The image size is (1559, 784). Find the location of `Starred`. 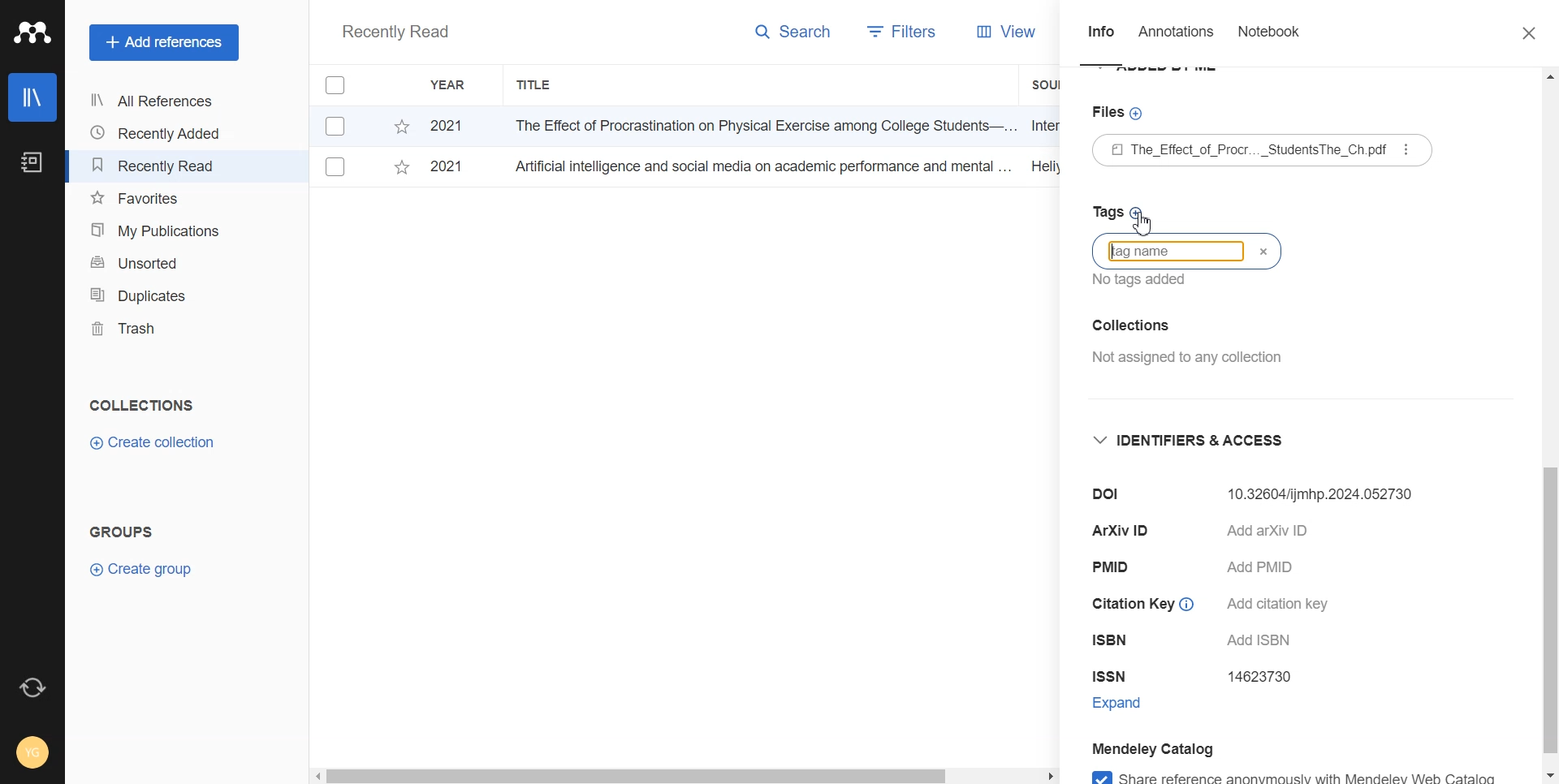

Starred is located at coordinates (401, 170).